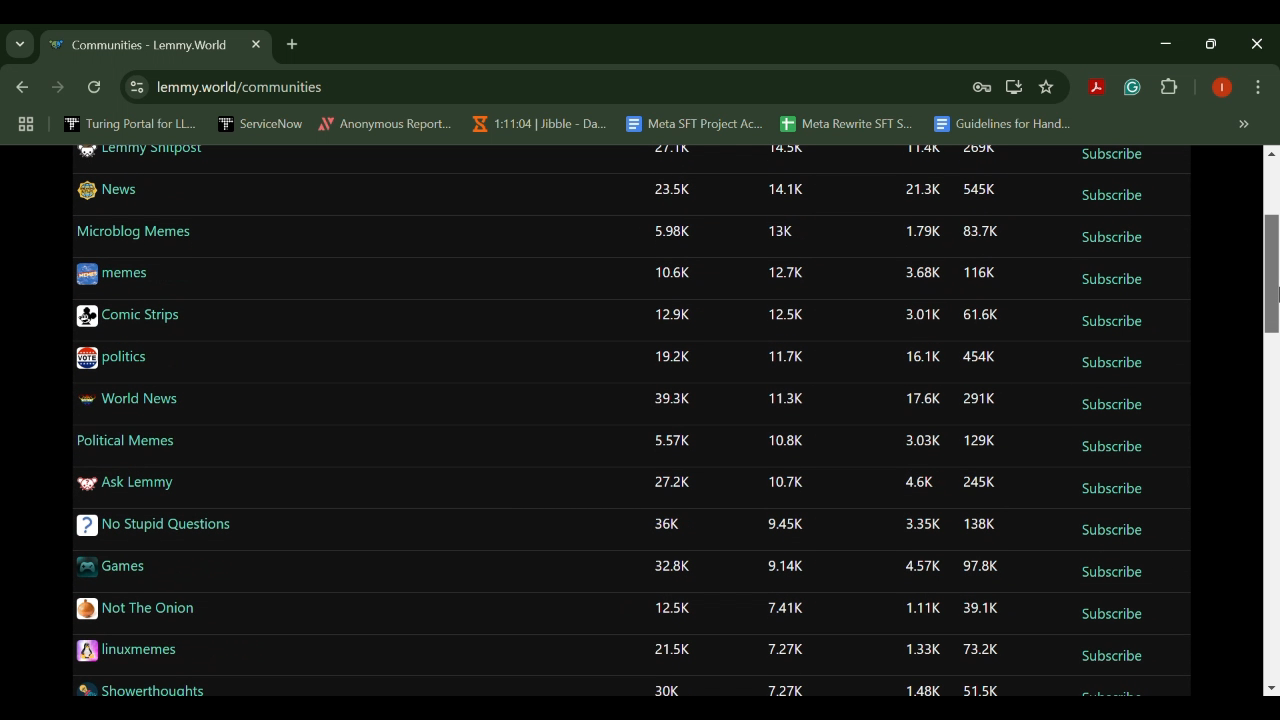 Image resolution: width=1280 pixels, height=720 pixels. What do you see at coordinates (982, 399) in the screenshot?
I see `291K` at bounding box center [982, 399].